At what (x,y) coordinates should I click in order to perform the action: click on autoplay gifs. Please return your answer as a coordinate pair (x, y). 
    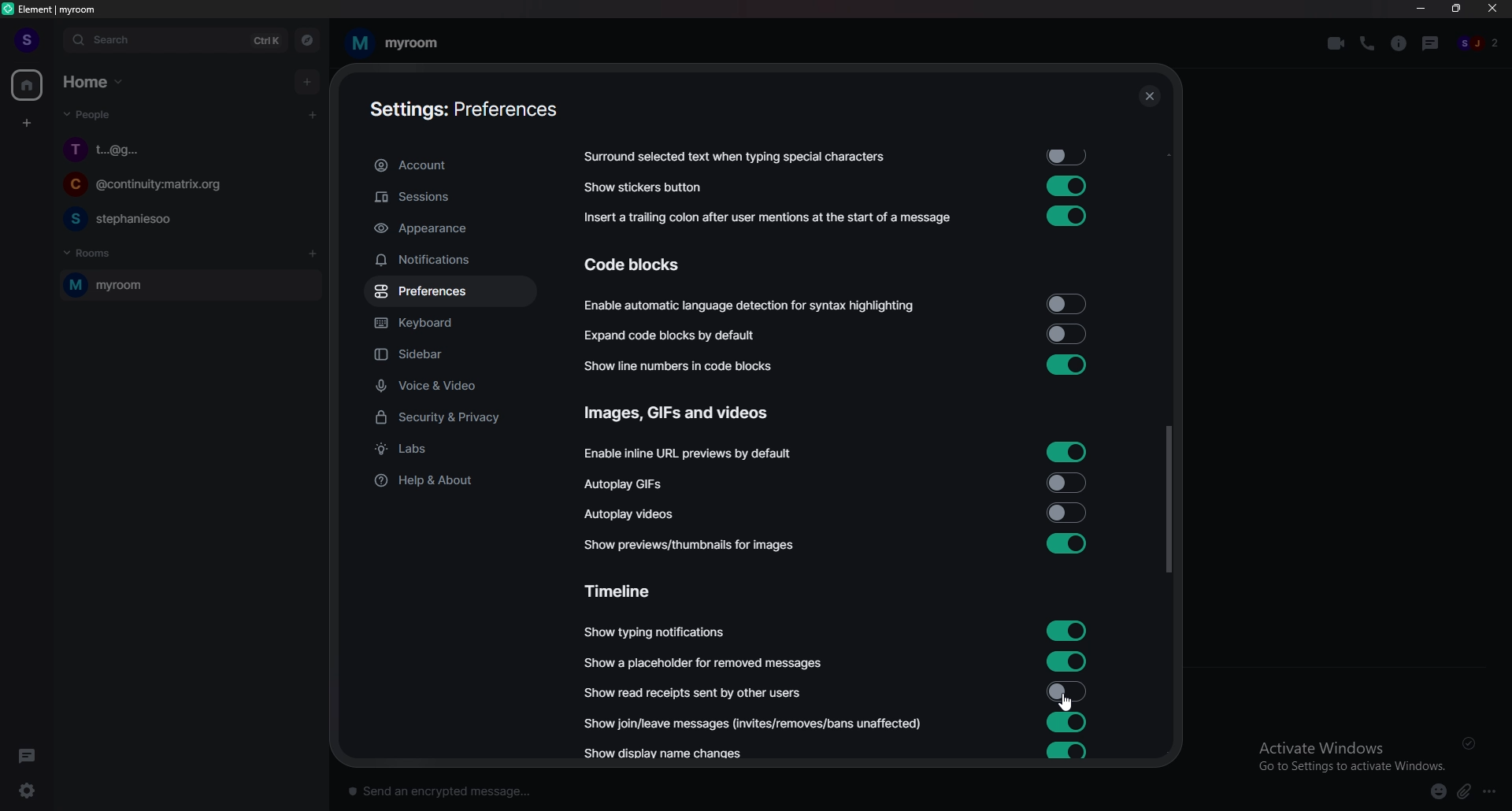
    Looking at the image, I should click on (634, 484).